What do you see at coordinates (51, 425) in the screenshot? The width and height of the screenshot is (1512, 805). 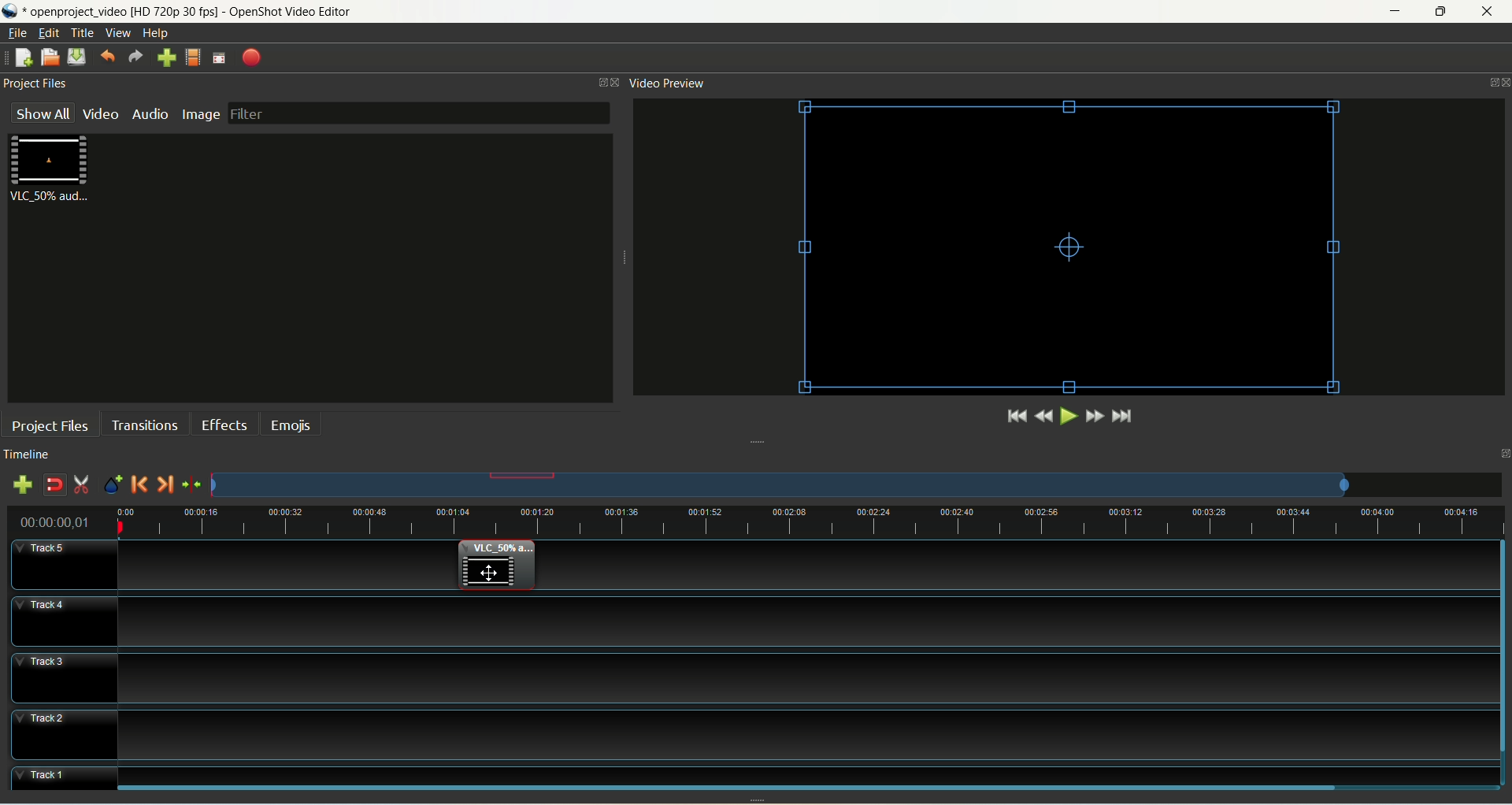 I see `project files` at bounding box center [51, 425].